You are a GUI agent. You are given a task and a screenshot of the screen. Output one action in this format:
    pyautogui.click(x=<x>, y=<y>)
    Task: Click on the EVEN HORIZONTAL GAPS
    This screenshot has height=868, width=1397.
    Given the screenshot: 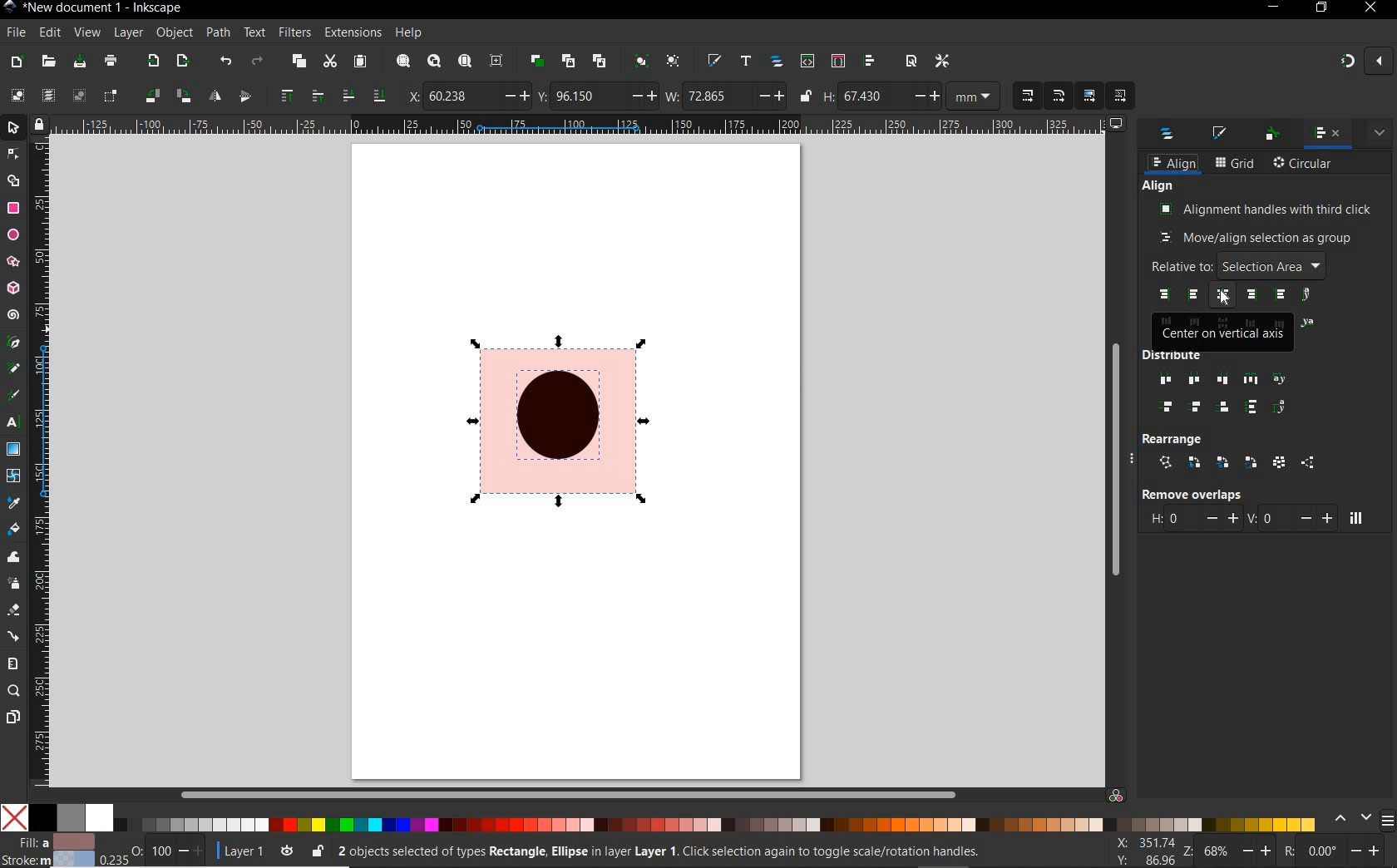 What is the action you would take?
    pyautogui.click(x=1251, y=379)
    